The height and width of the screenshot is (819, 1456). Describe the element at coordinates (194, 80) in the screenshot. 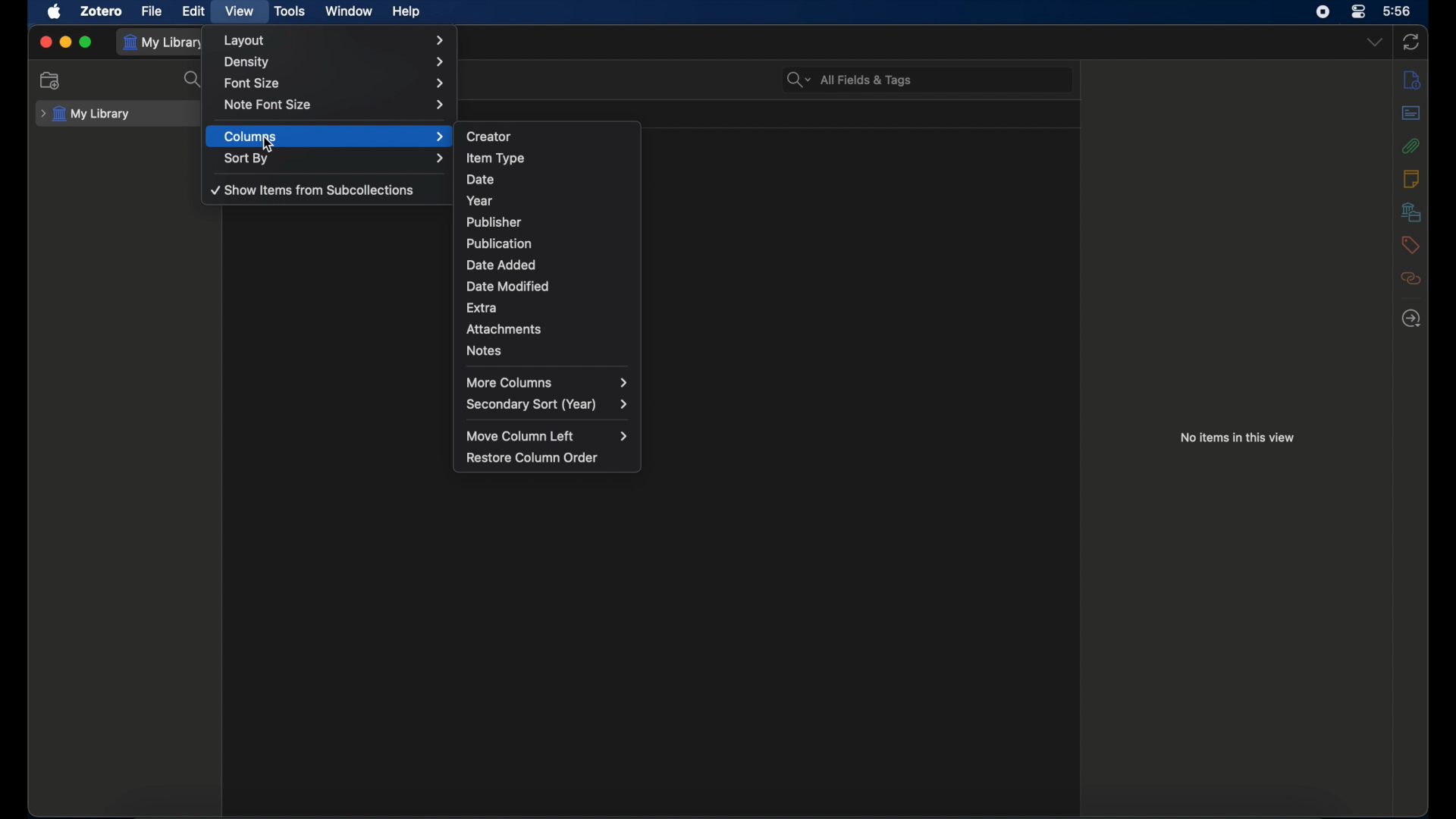

I see `search` at that location.